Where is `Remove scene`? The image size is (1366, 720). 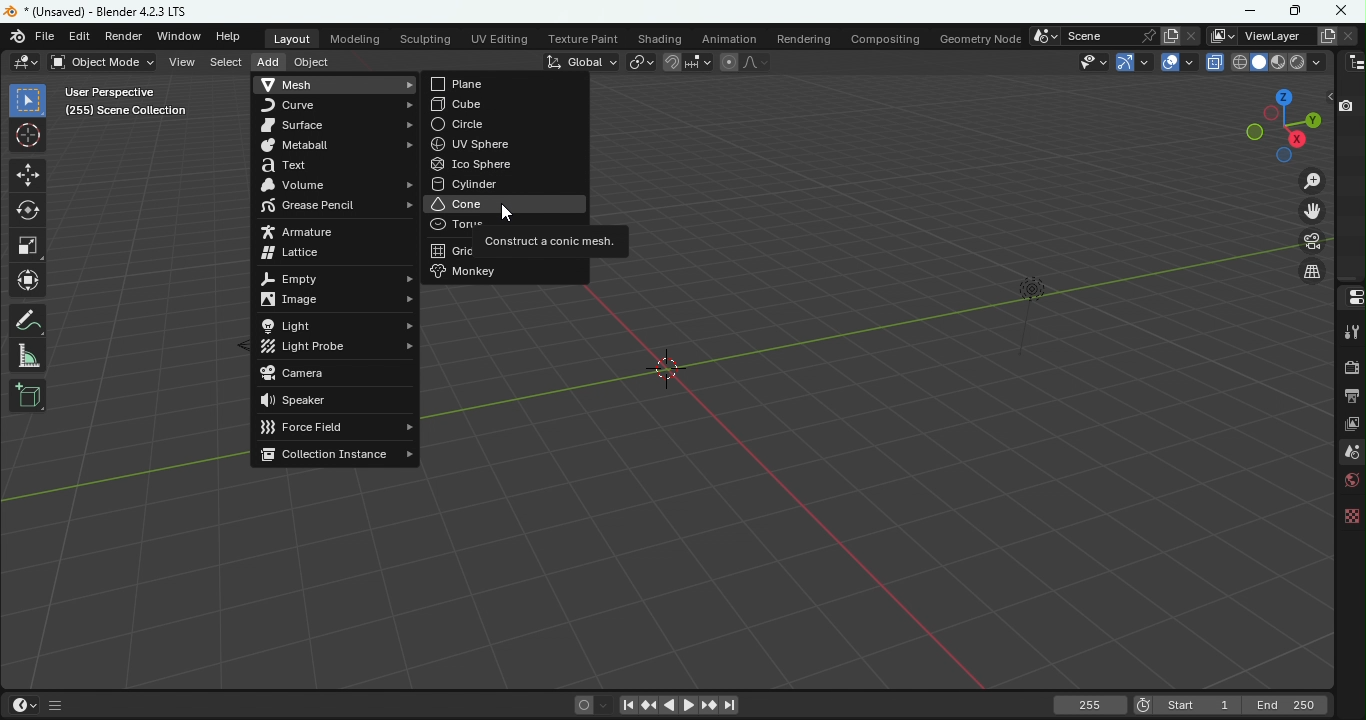
Remove scene is located at coordinates (1191, 36).